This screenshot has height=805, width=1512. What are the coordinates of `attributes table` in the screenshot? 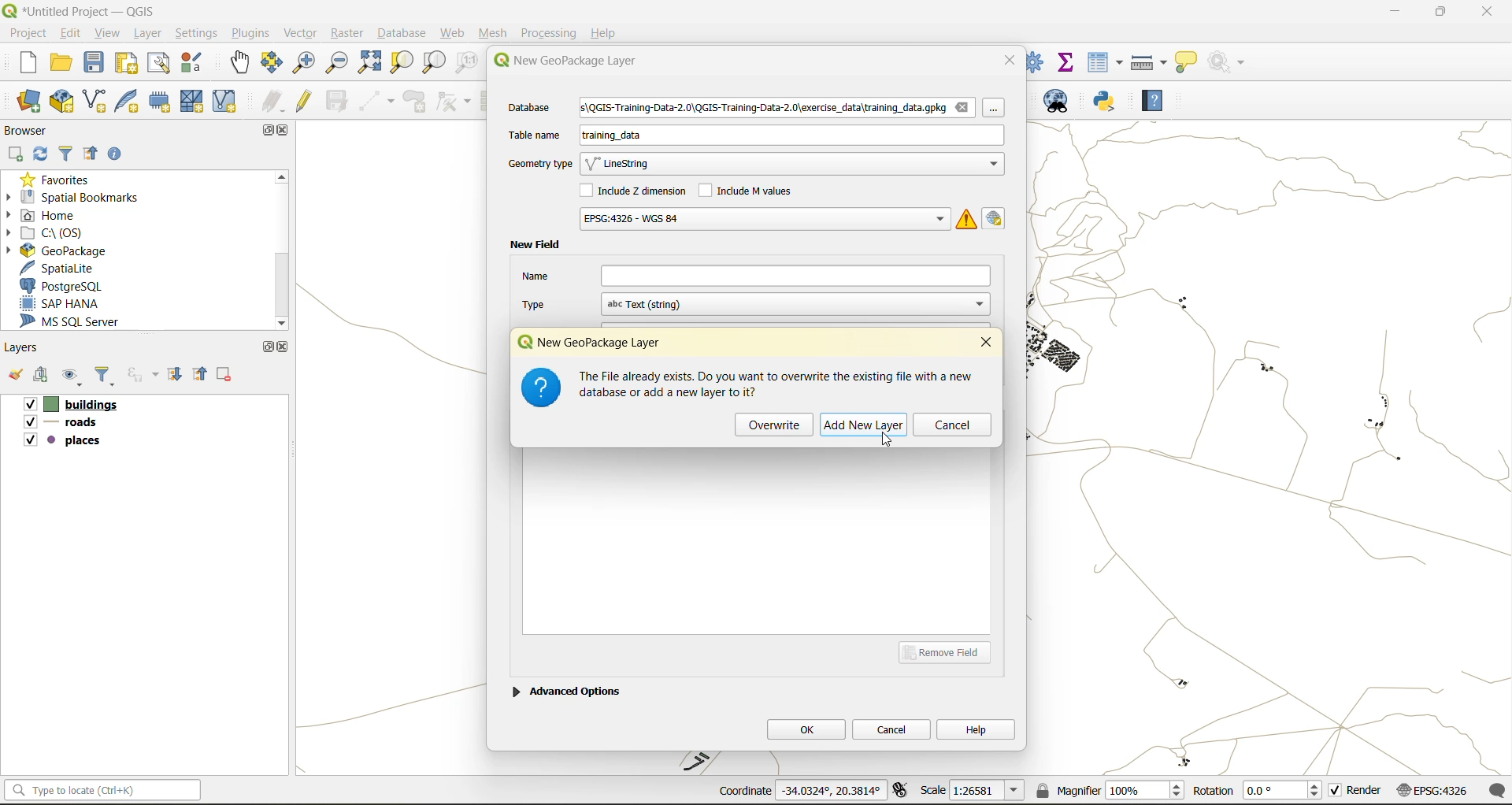 It's located at (1106, 62).